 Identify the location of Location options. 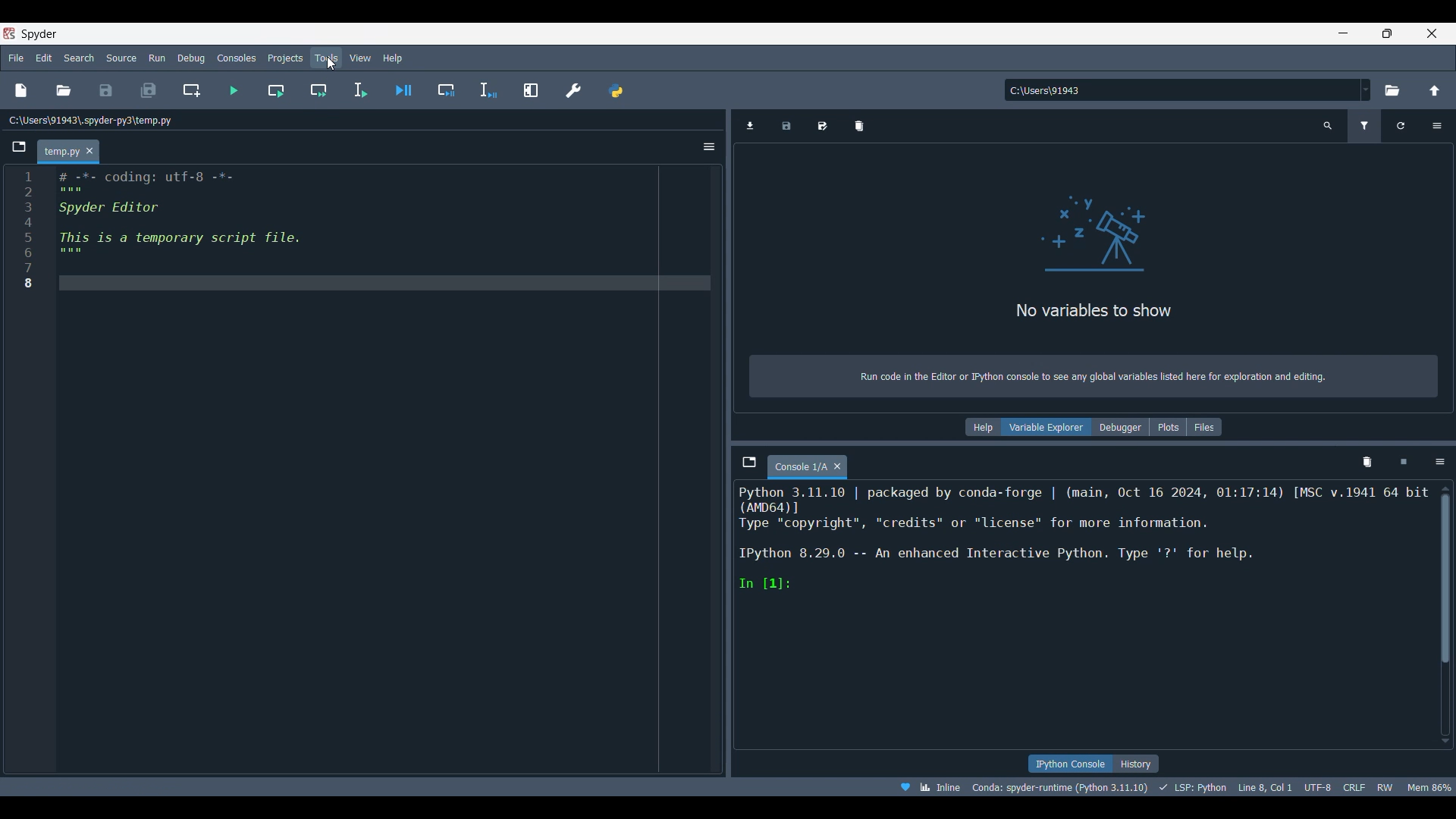
(1366, 89).